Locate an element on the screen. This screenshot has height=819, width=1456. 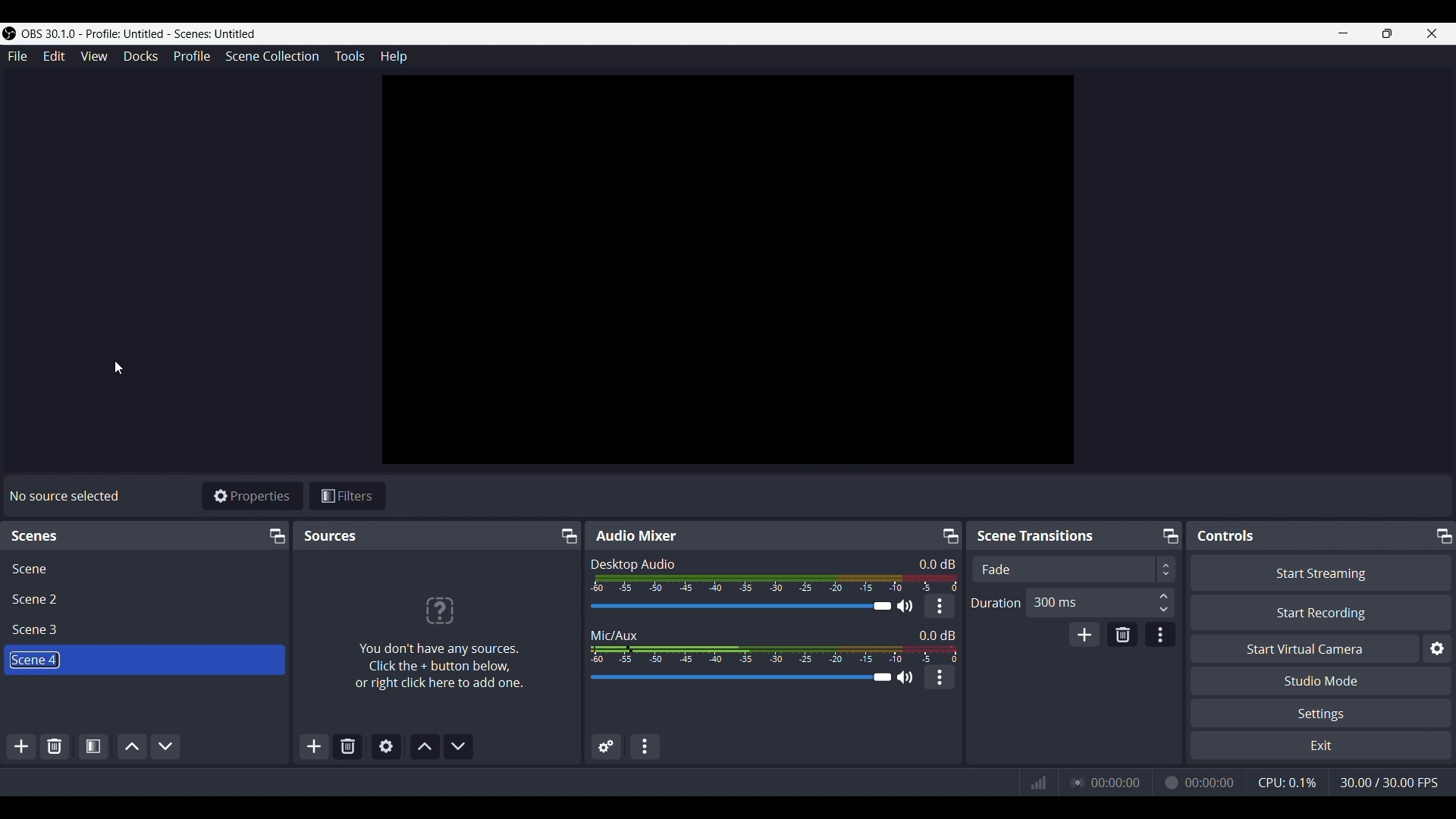
You don't have any sources. Click the + button below, or right click to add one.  is located at coordinates (438, 667).